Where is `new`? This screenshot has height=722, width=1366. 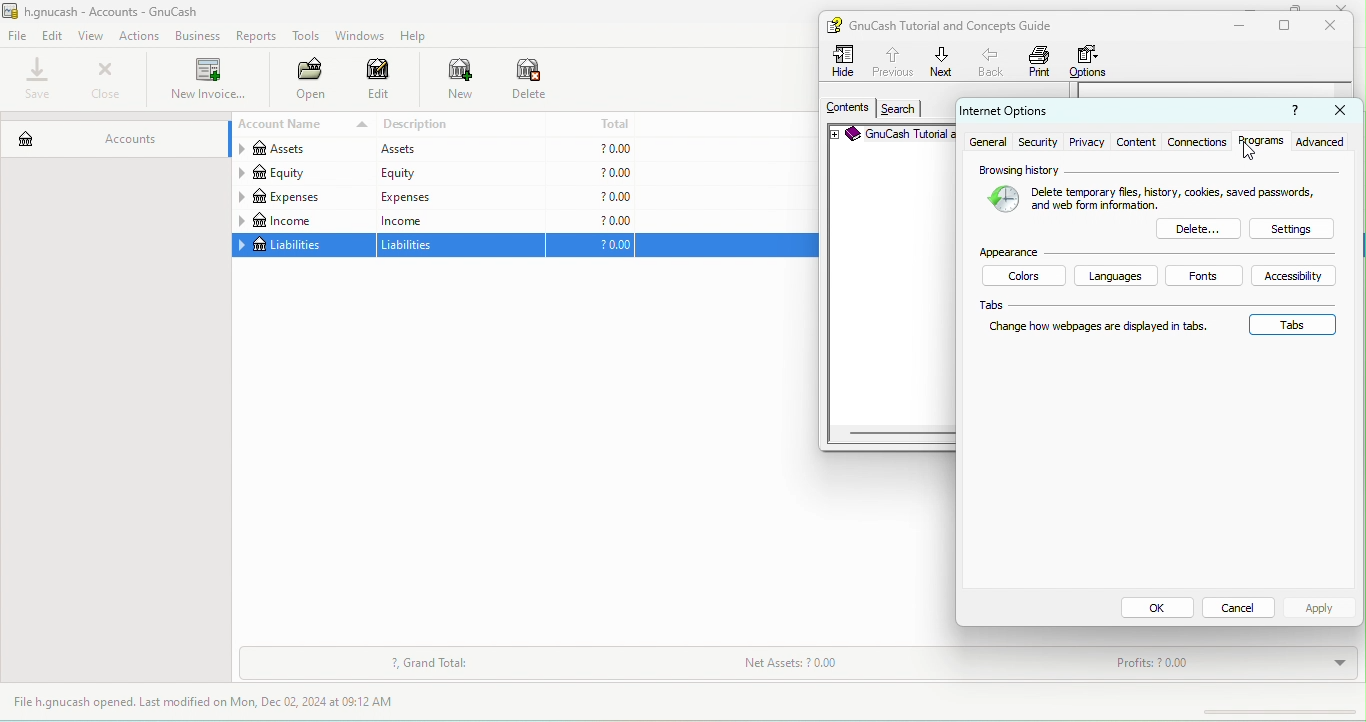
new is located at coordinates (450, 81).